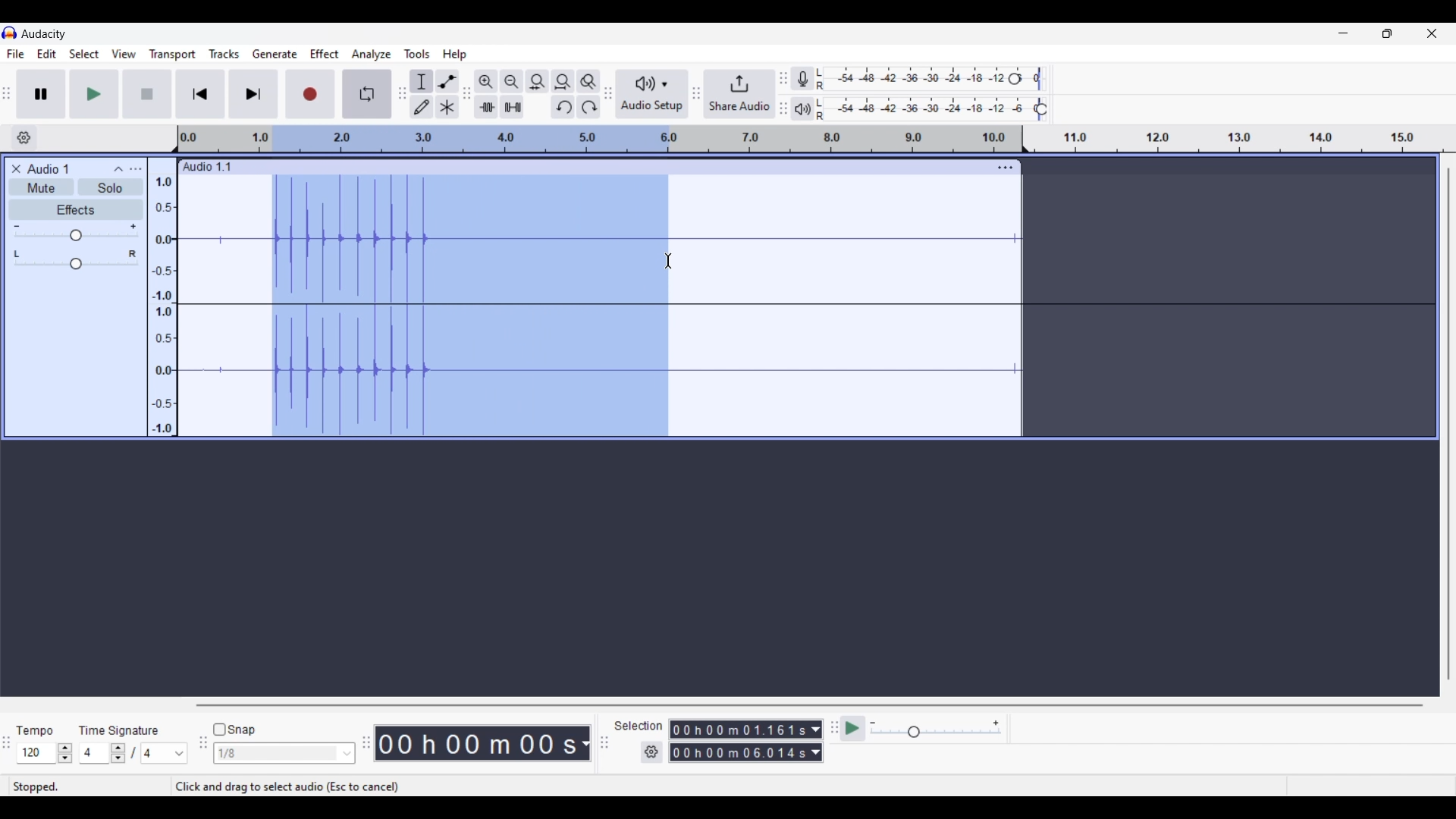 The width and height of the screenshot is (1456, 819). Describe the element at coordinates (537, 81) in the screenshot. I see `Fit selection to width` at that location.